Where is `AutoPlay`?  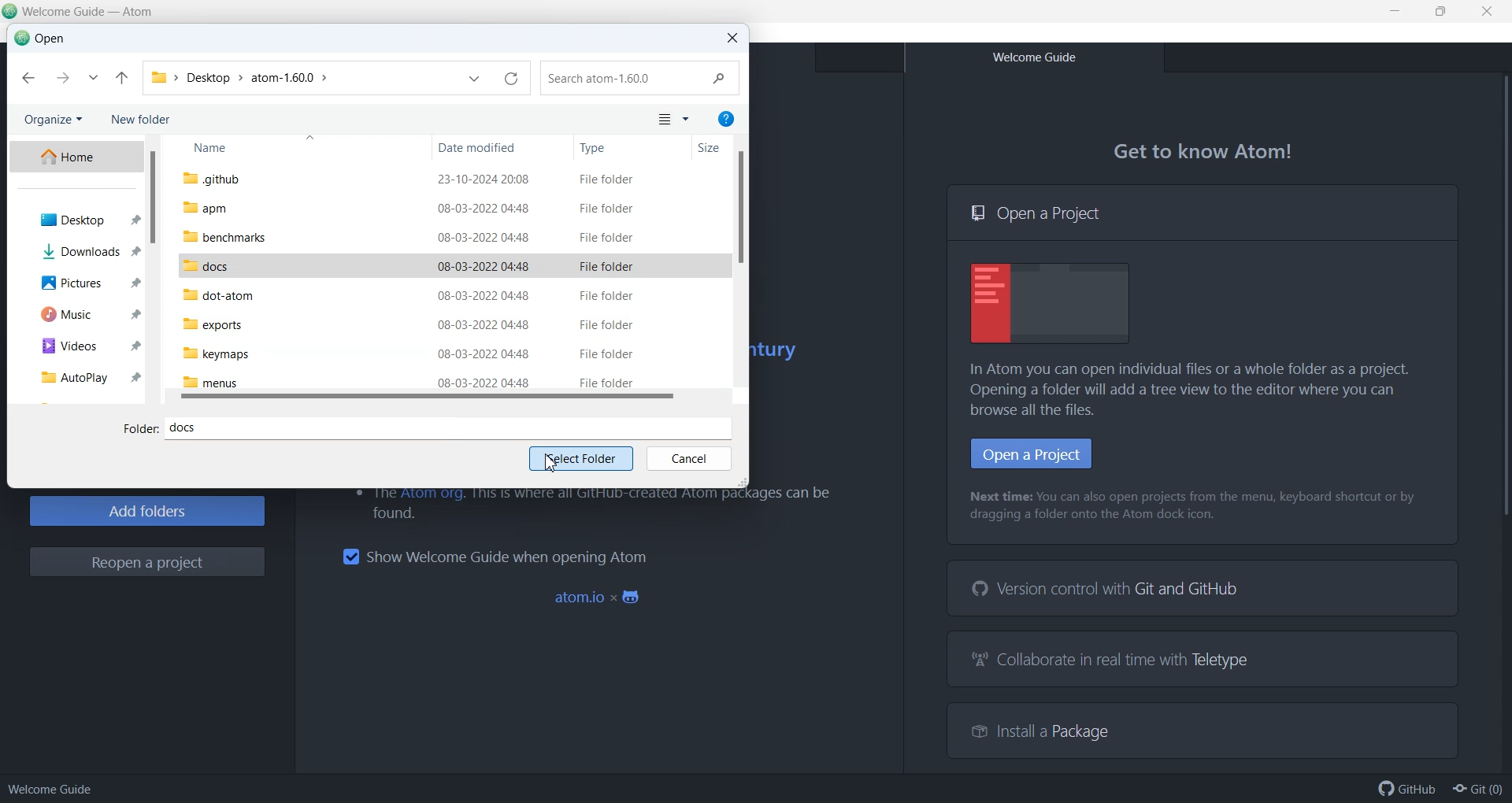
AutoPlay is located at coordinates (74, 376).